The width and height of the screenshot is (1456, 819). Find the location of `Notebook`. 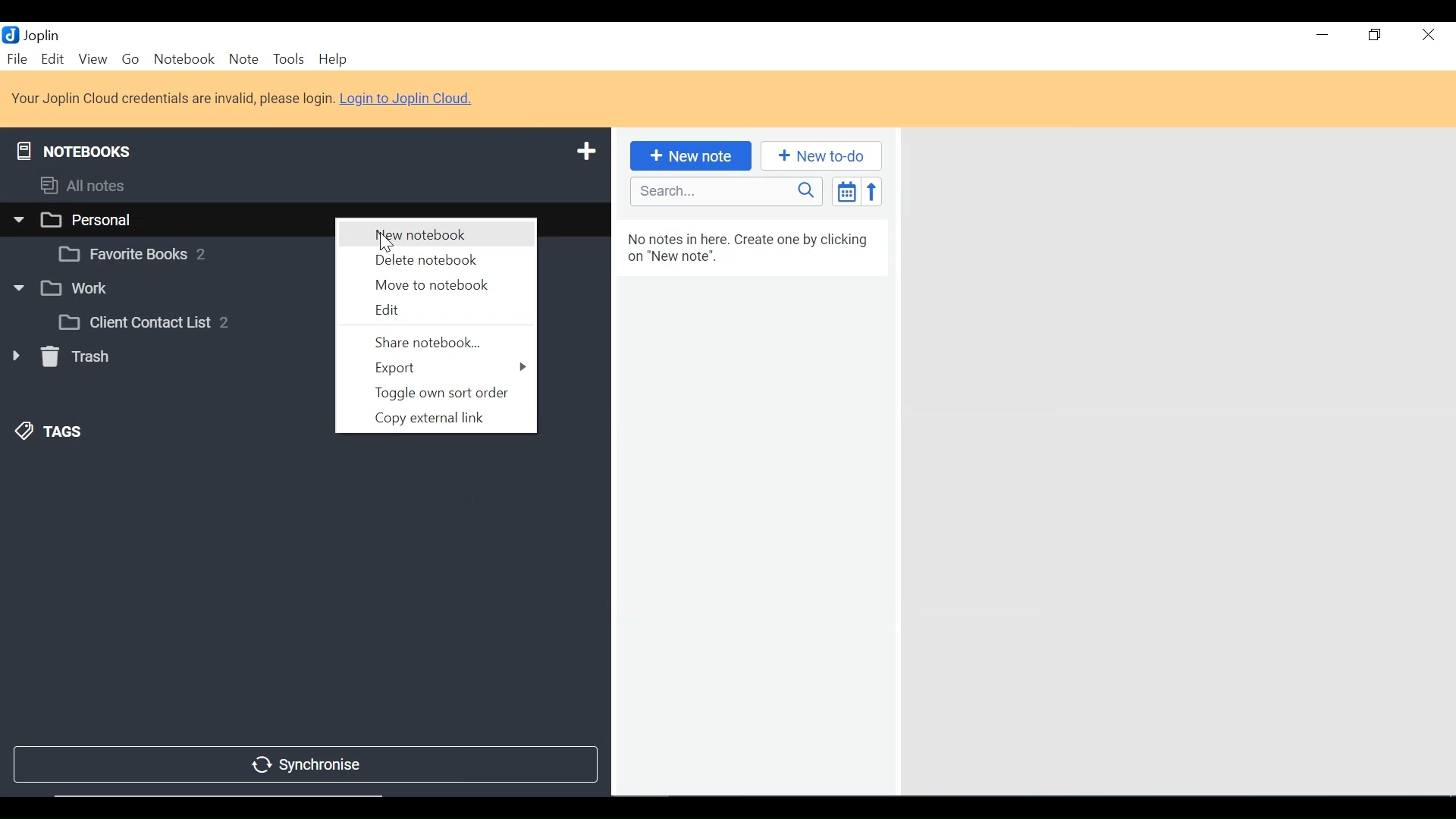

Notebook is located at coordinates (165, 218).